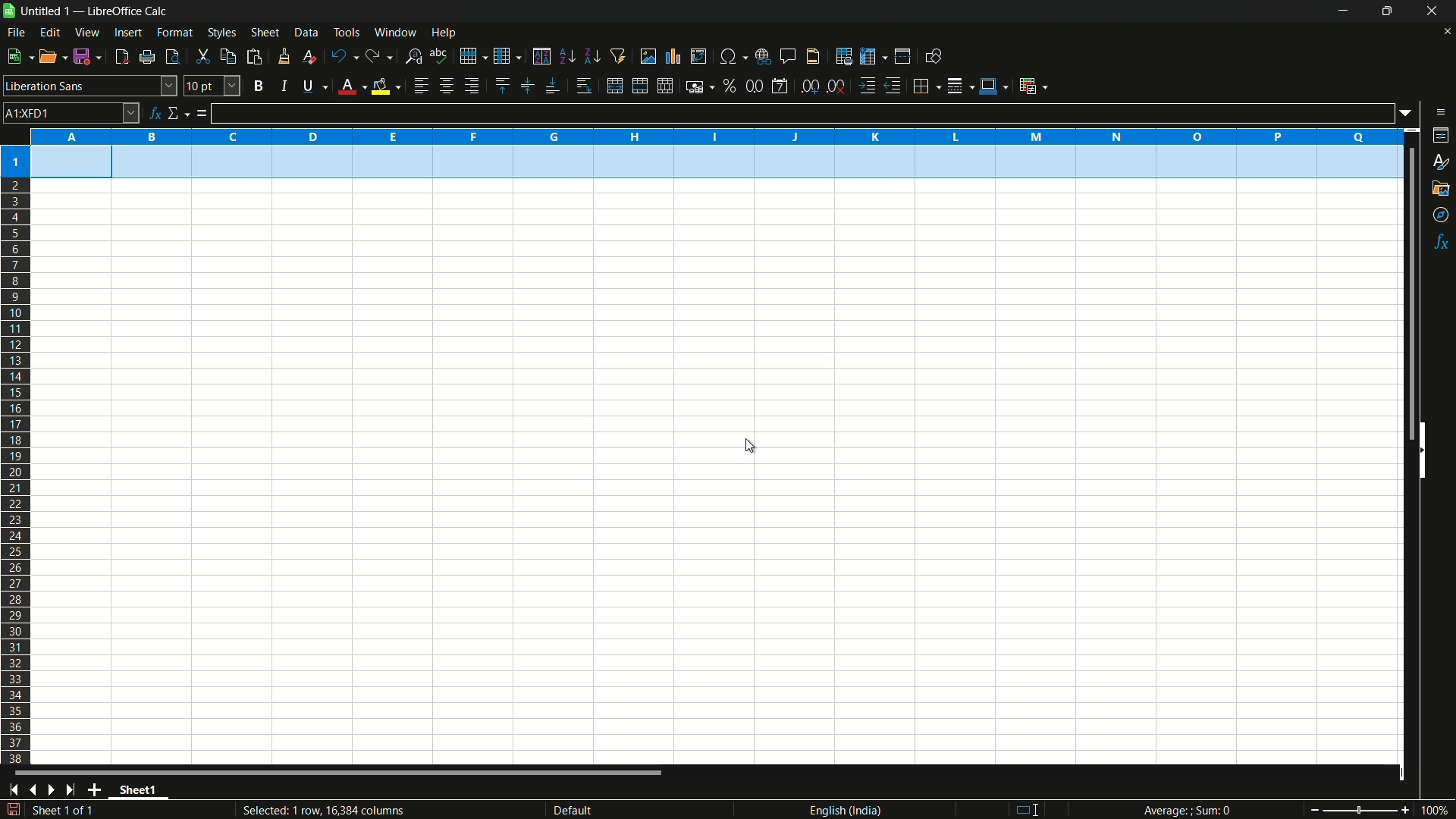 This screenshot has height=819, width=1456. What do you see at coordinates (841, 810) in the screenshot?
I see `language english(india)` at bounding box center [841, 810].